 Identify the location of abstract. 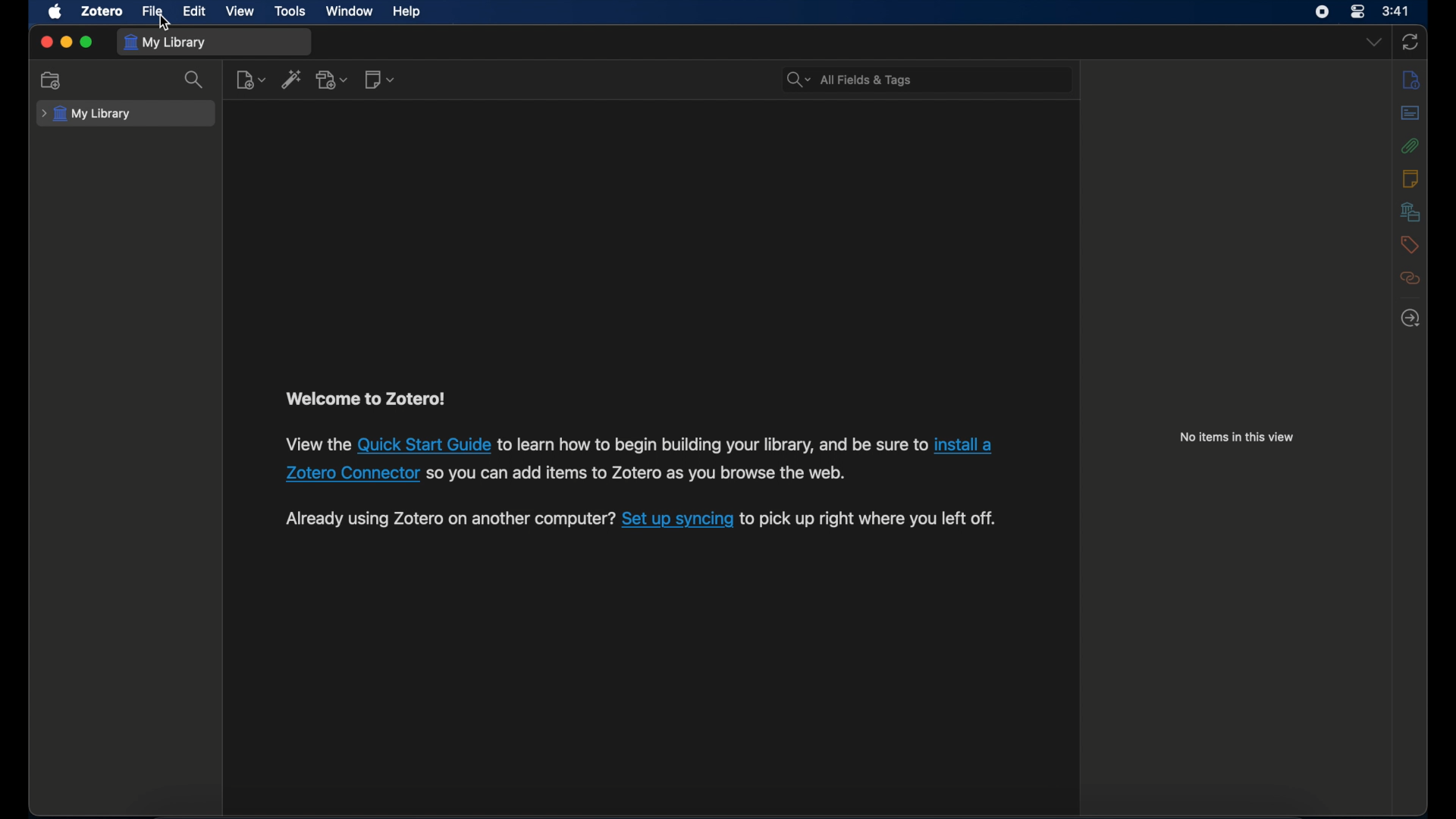
(1410, 113).